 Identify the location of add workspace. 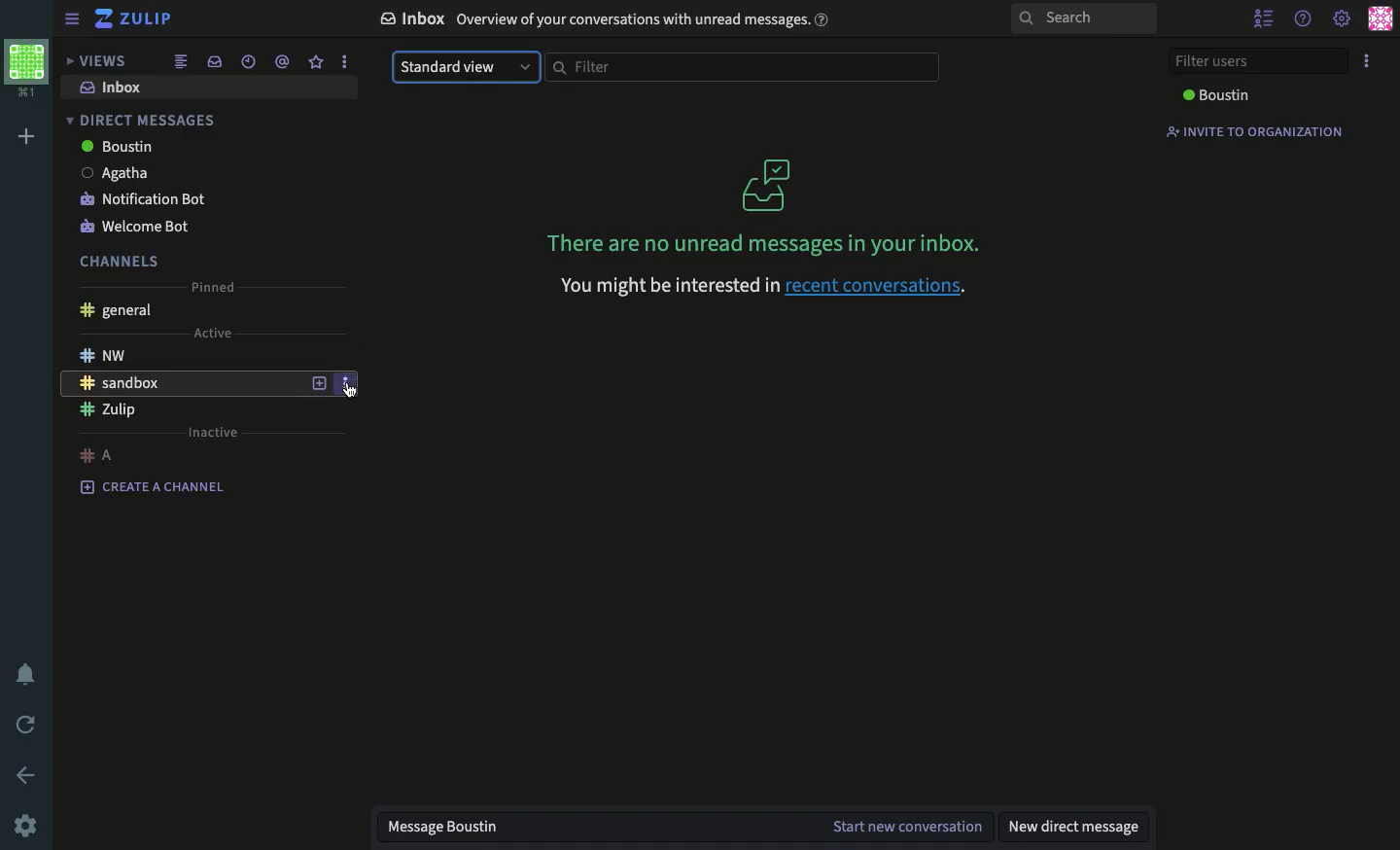
(23, 136).